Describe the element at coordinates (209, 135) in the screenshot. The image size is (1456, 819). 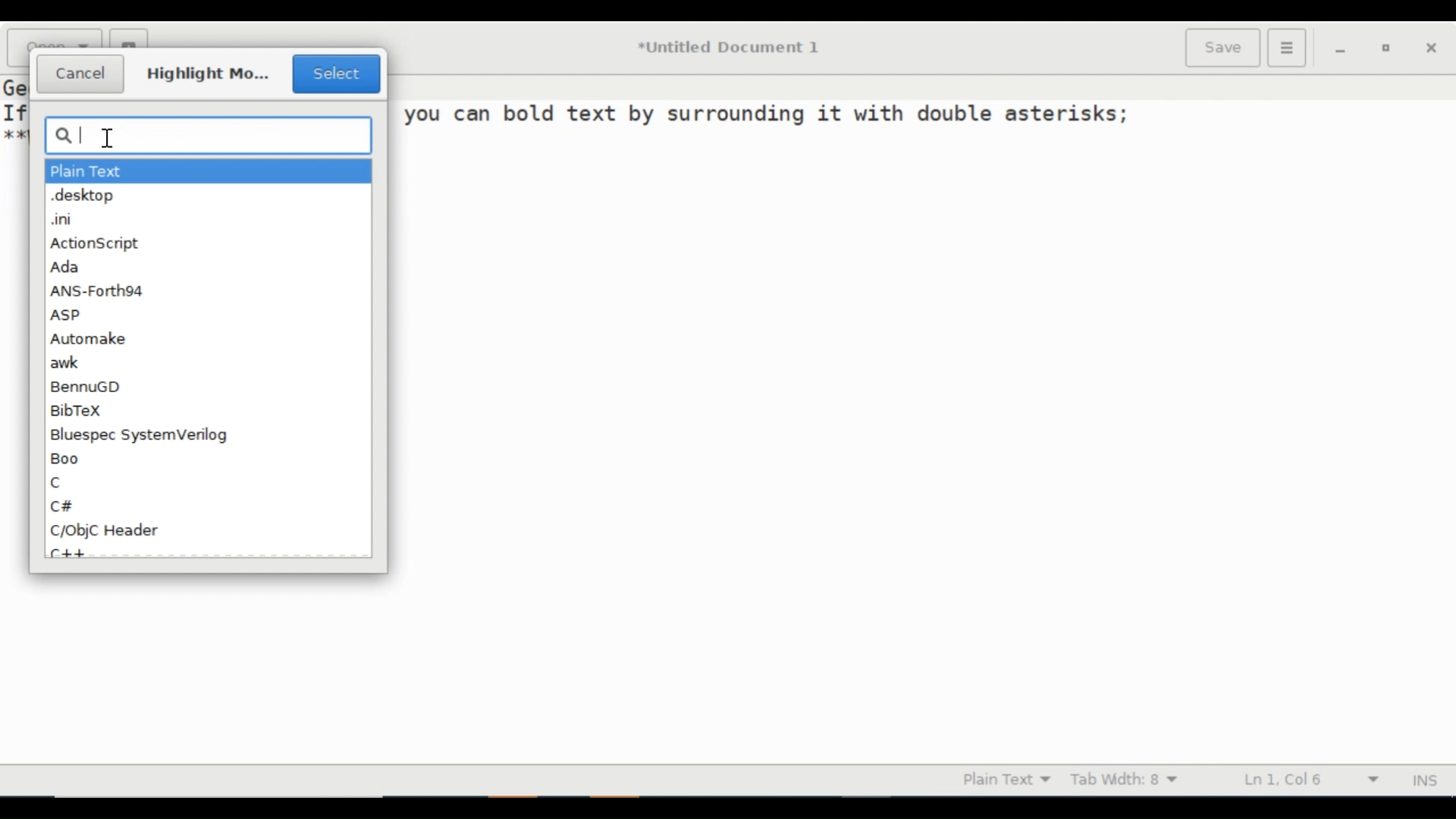
I see `Search box` at that location.